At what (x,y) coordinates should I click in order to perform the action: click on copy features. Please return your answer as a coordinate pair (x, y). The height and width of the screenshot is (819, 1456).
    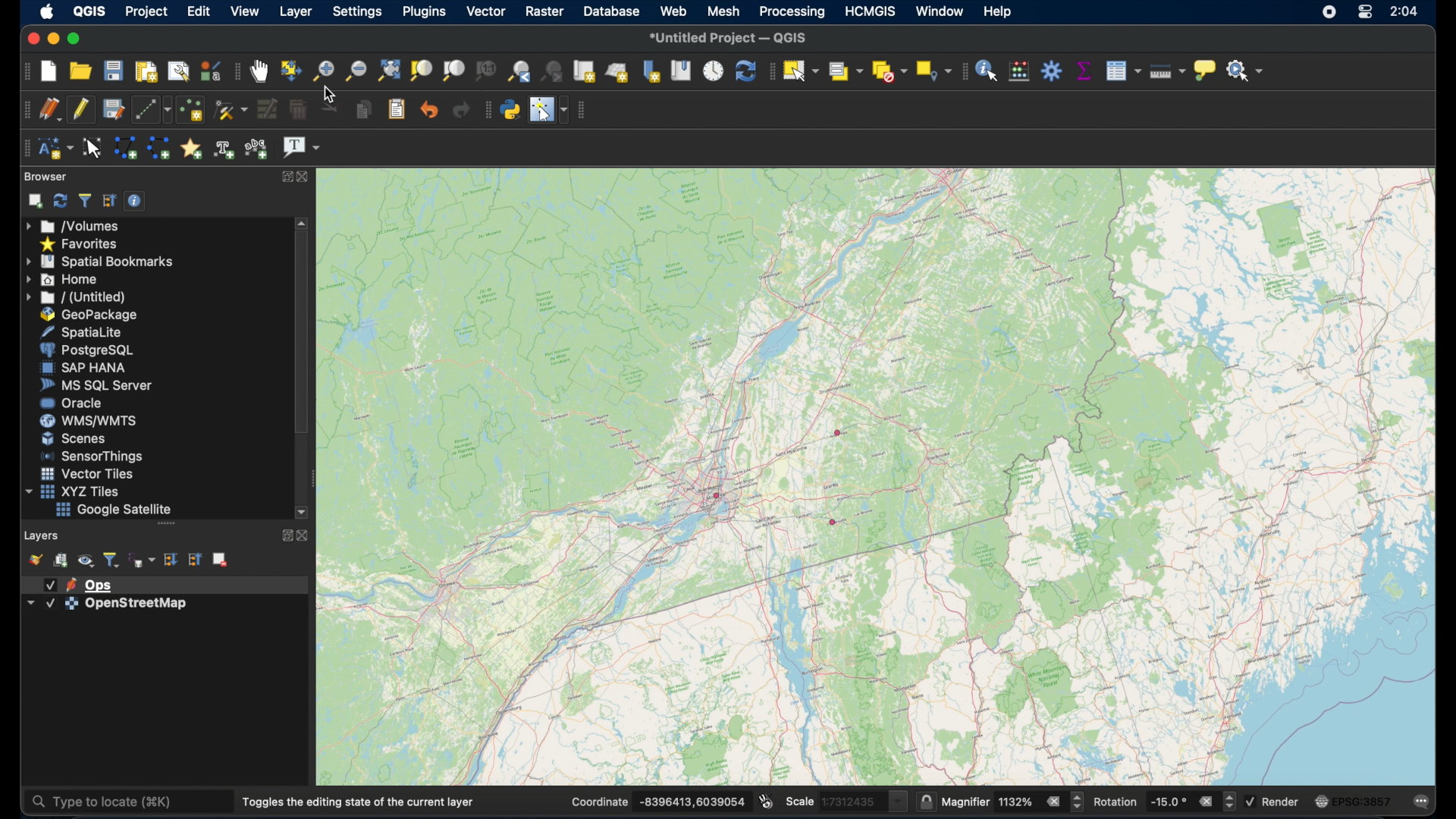
    Looking at the image, I should click on (362, 110).